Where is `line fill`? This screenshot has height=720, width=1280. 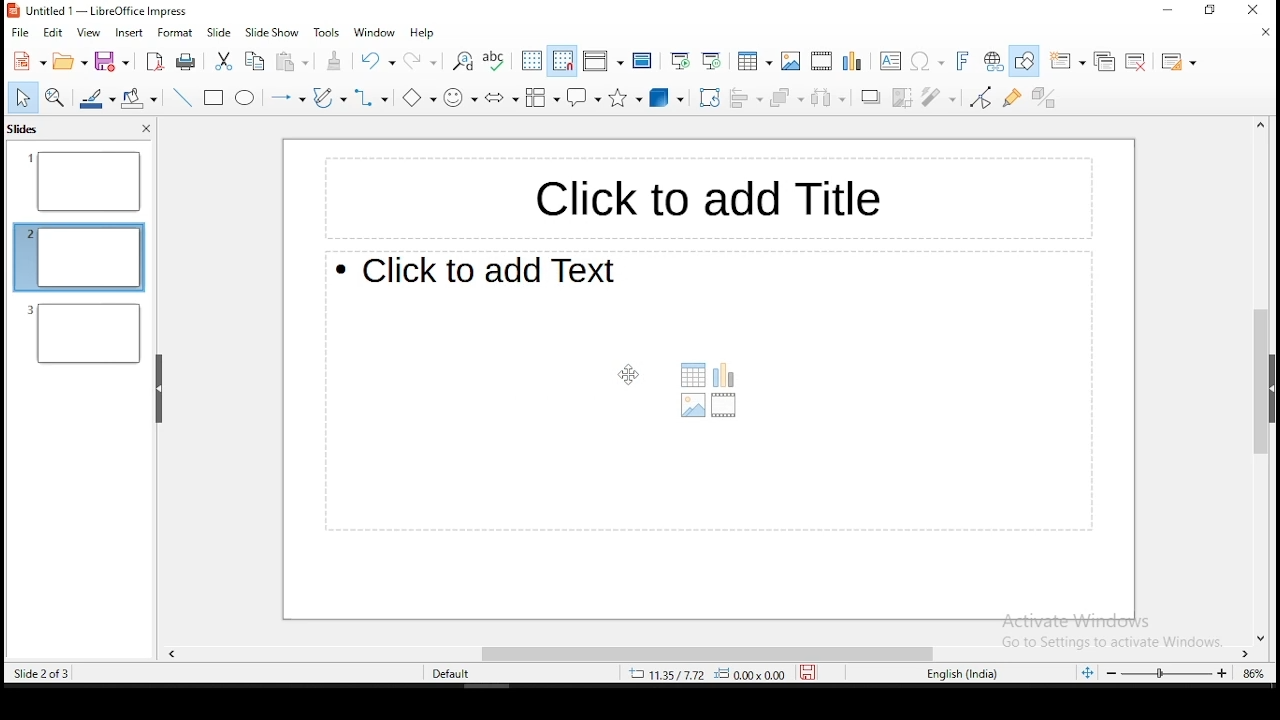 line fill is located at coordinates (95, 98).